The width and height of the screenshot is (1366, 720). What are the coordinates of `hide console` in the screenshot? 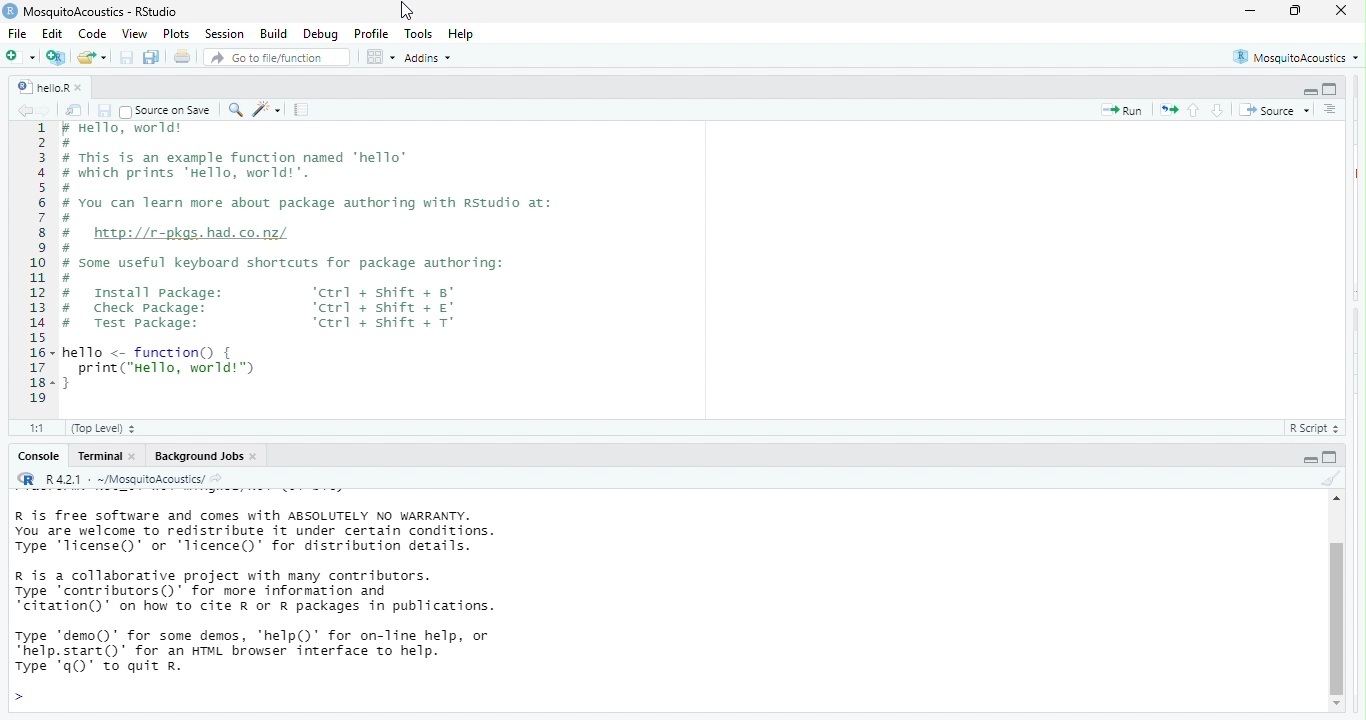 It's located at (1331, 88).